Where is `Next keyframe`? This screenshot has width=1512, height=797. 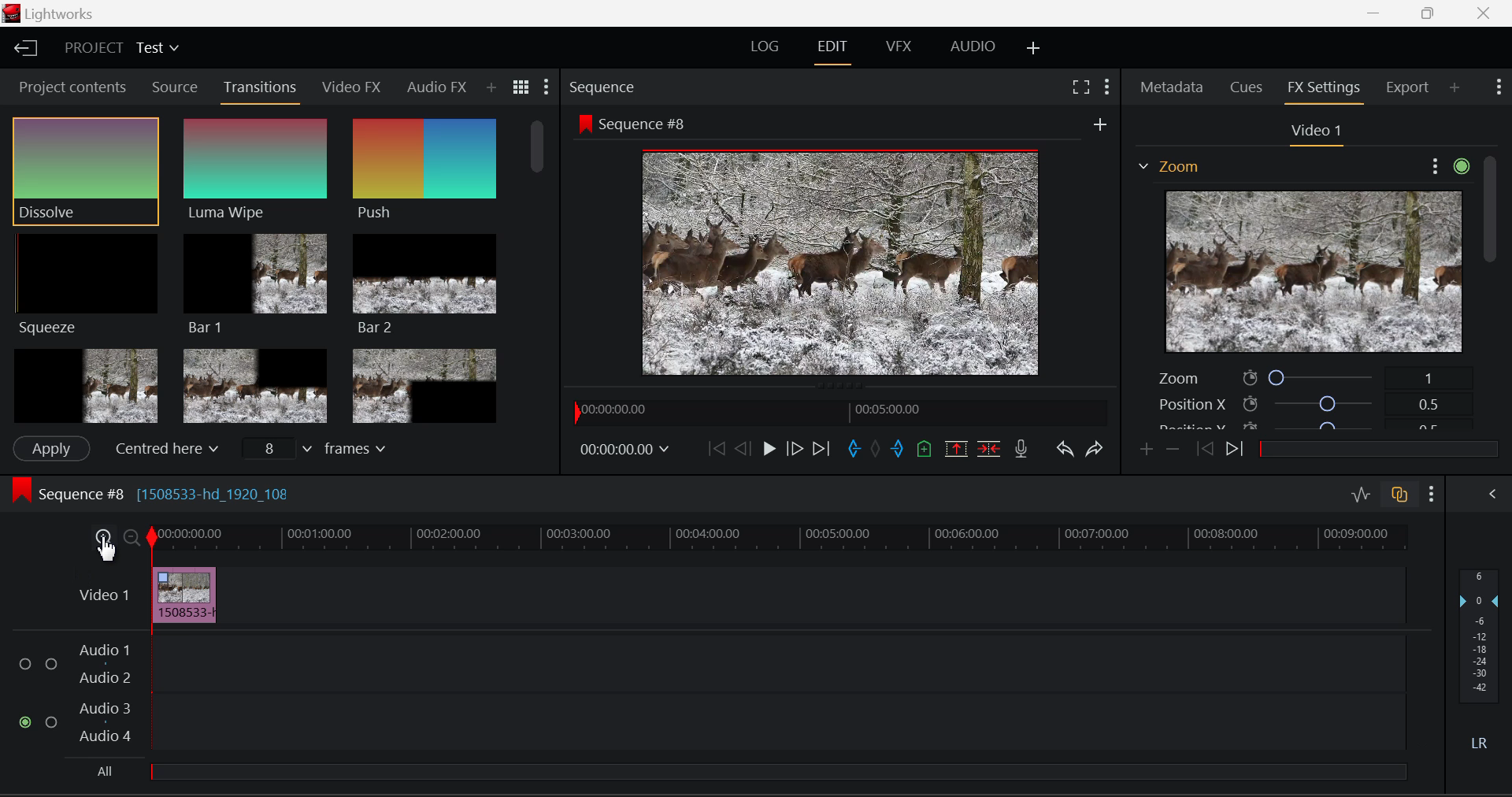 Next keyframe is located at coordinates (1234, 448).